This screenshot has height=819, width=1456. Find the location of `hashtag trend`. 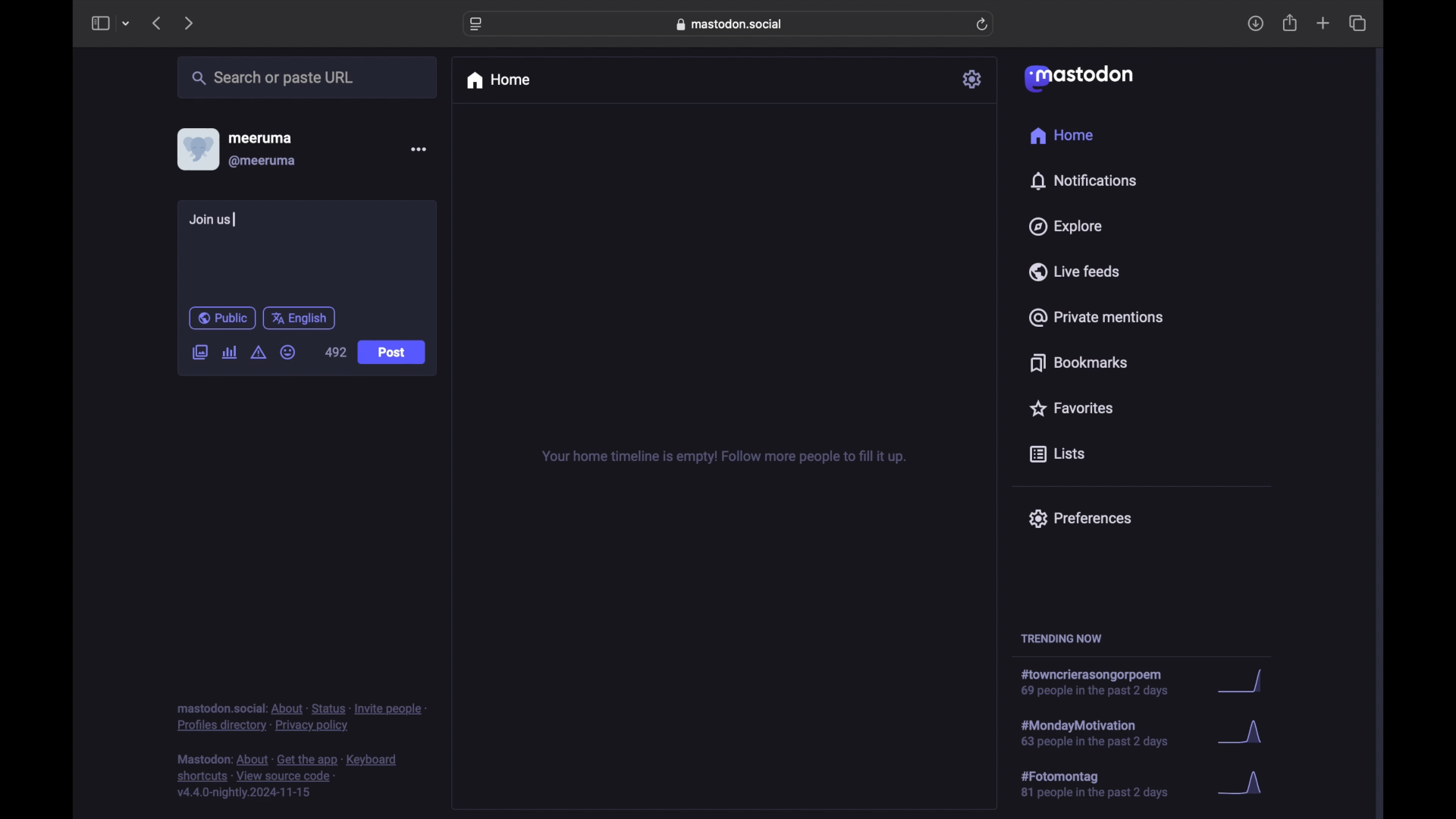

hashtag trend is located at coordinates (1105, 732).